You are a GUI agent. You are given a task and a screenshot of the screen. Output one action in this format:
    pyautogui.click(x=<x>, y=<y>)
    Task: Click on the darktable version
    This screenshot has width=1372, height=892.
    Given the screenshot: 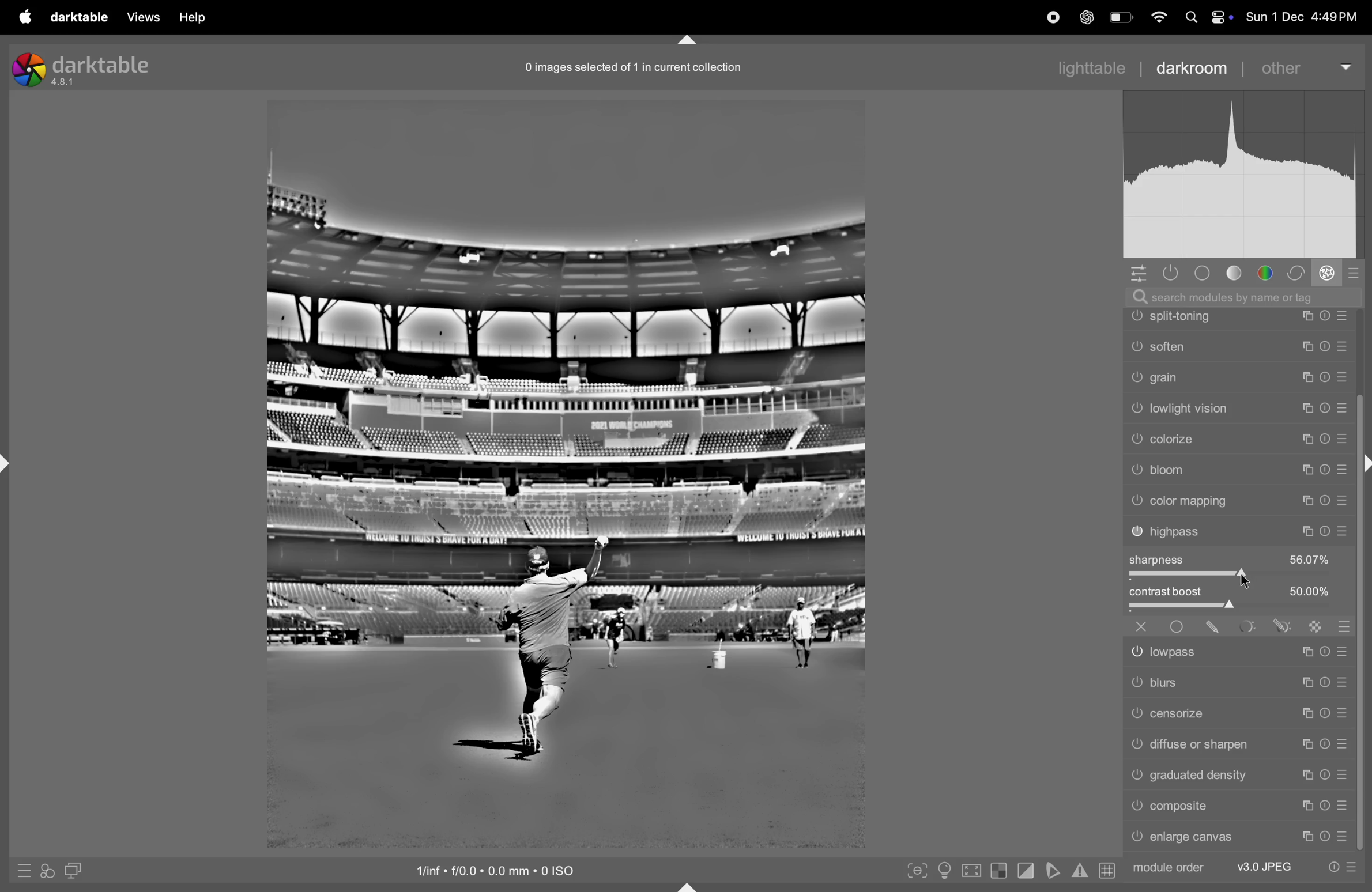 What is the action you would take?
    pyautogui.click(x=87, y=66)
    